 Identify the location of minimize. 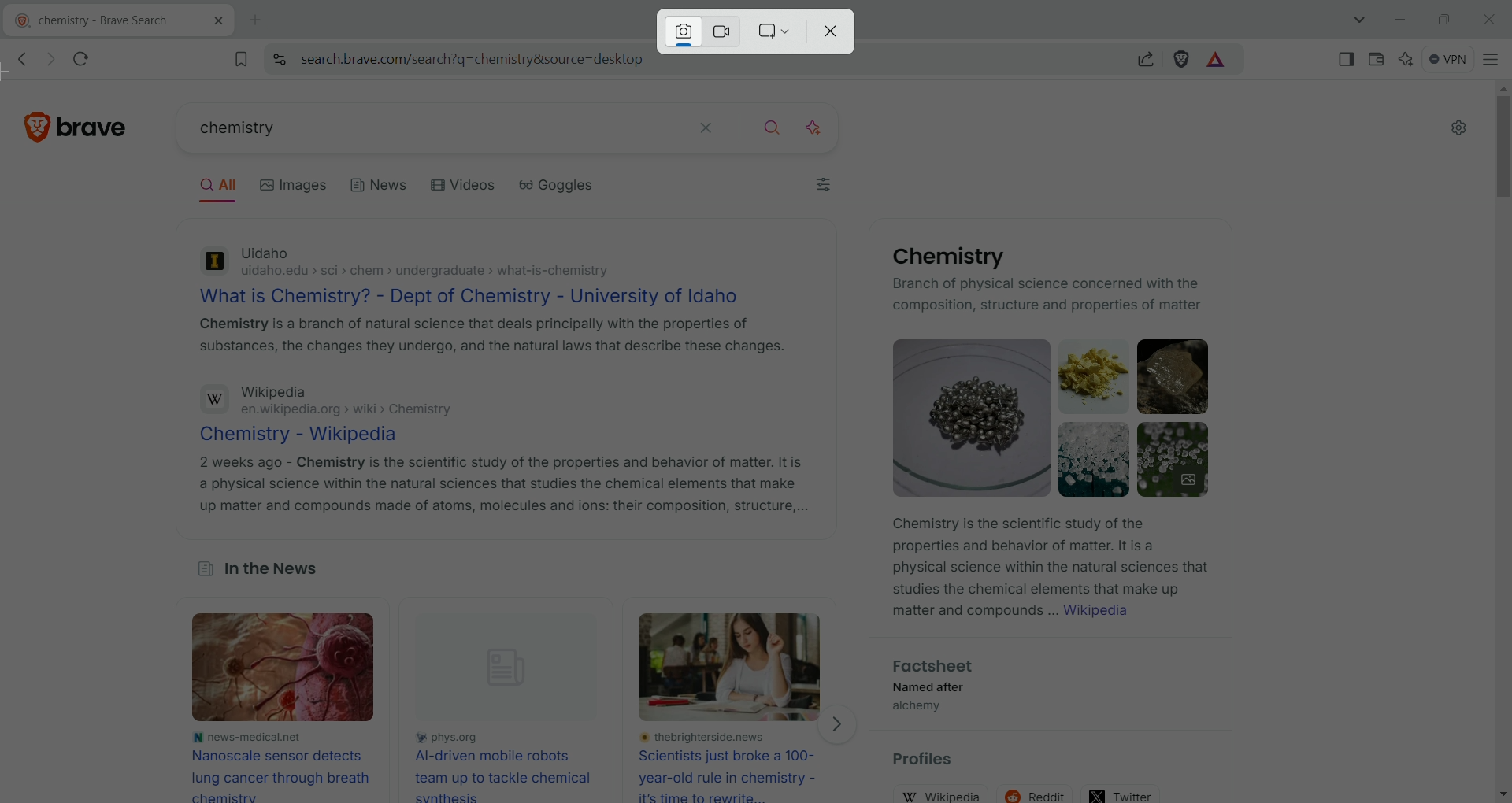
(1400, 20).